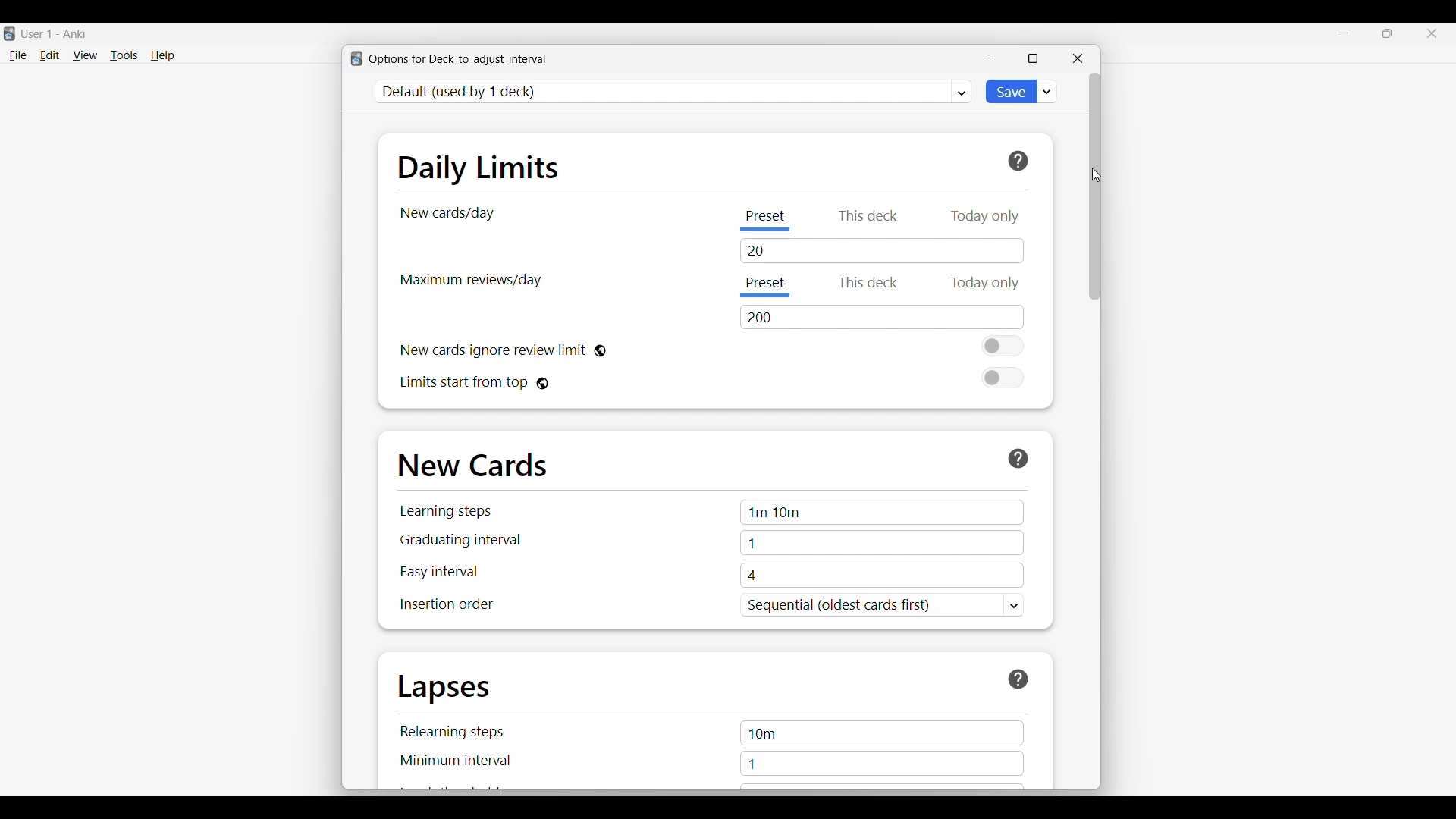 This screenshot has height=819, width=1456. Describe the element at coordinates (1095, 186) in the screenshot. I see `Vertical slide bar` at that location.